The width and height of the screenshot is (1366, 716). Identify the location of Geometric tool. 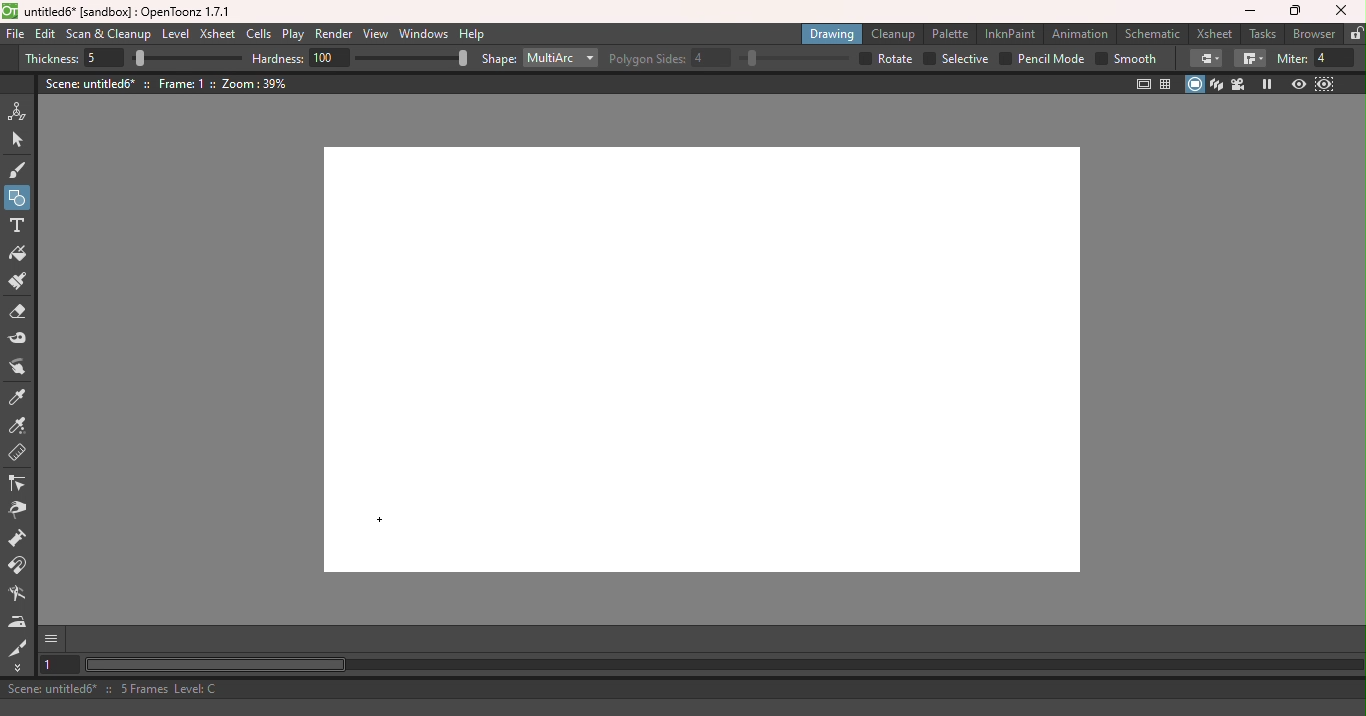
(18, 198).